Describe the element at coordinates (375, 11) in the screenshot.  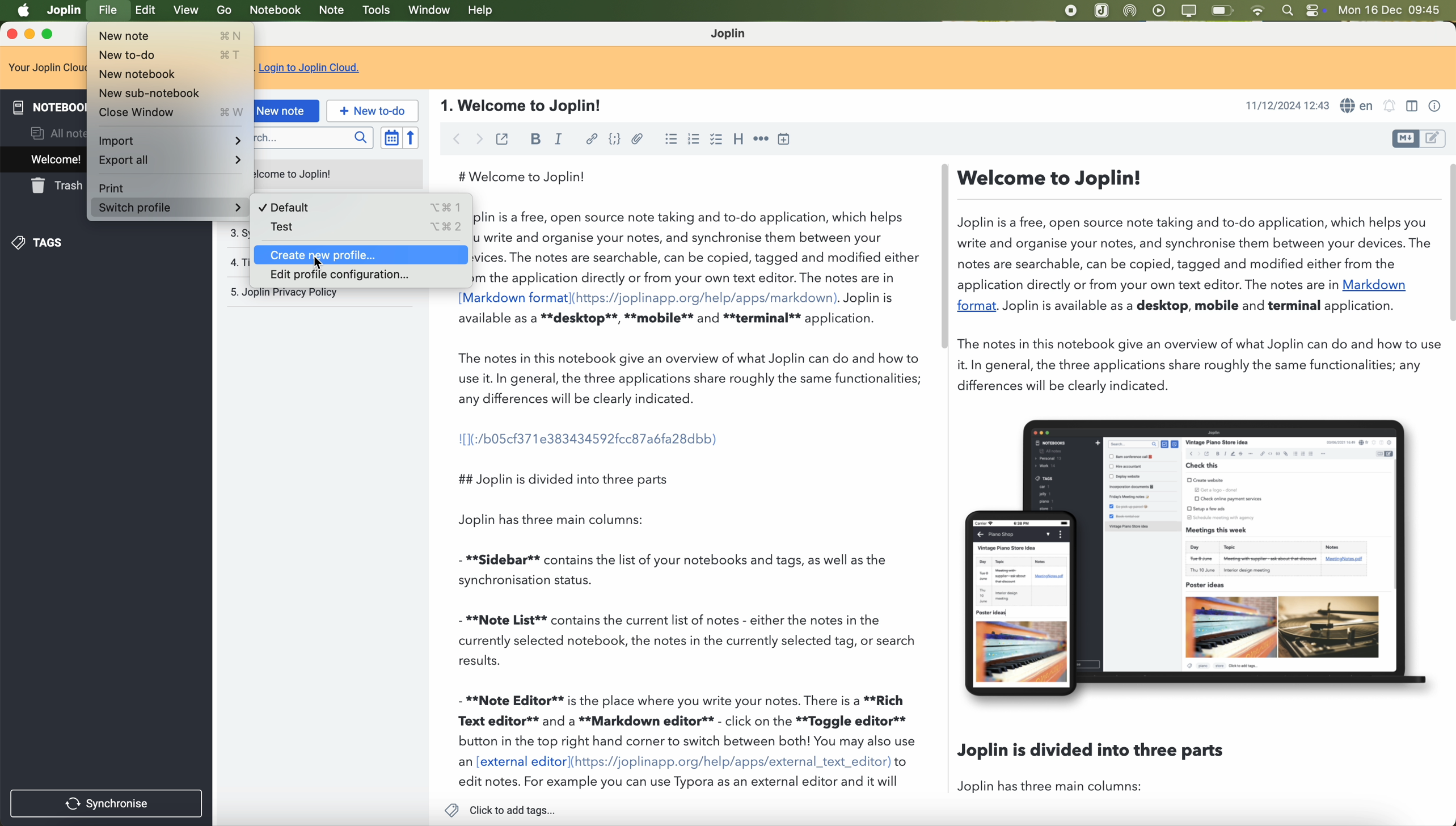
I see `tools` at that location.